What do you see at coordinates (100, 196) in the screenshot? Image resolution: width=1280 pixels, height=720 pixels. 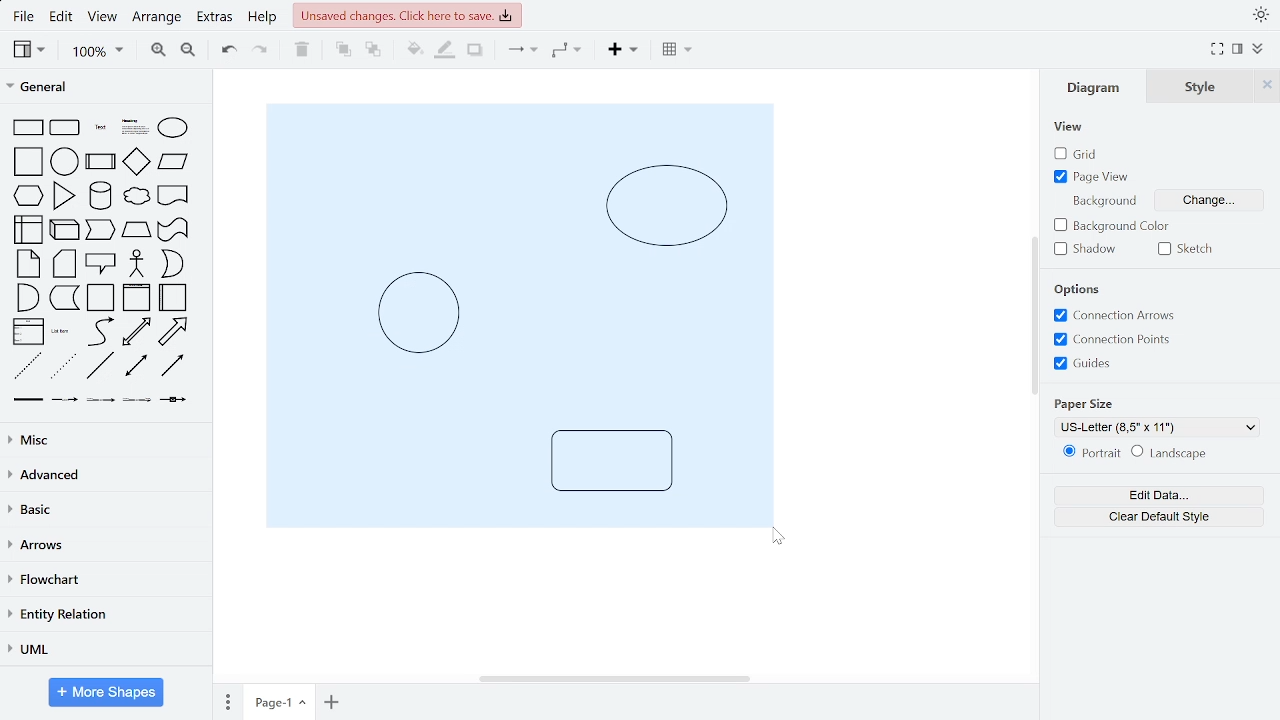 I see `cylinder` at bounding box center [100, 196].